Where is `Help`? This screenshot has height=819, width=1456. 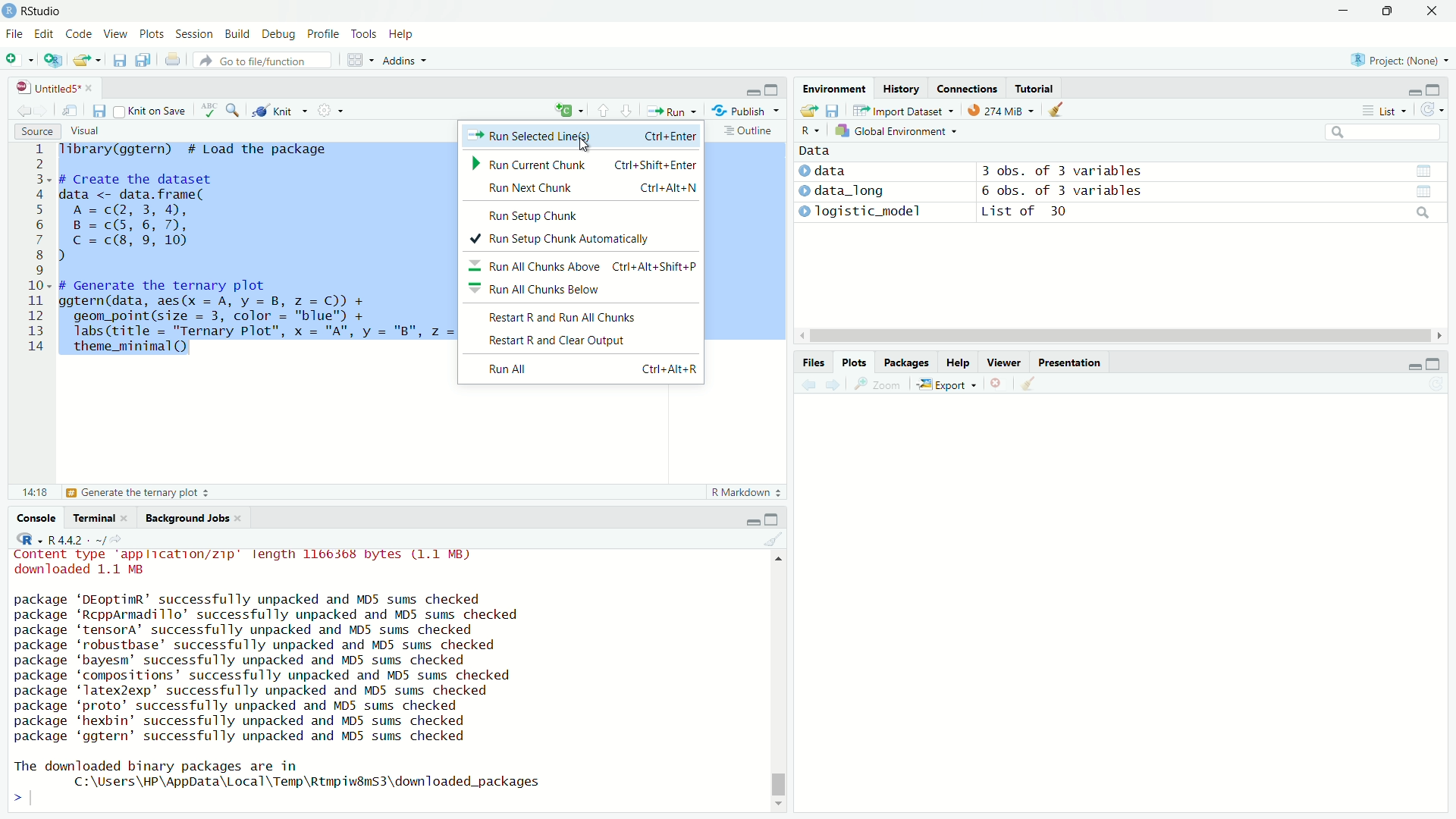
Help is located at coordinates (955, 363).